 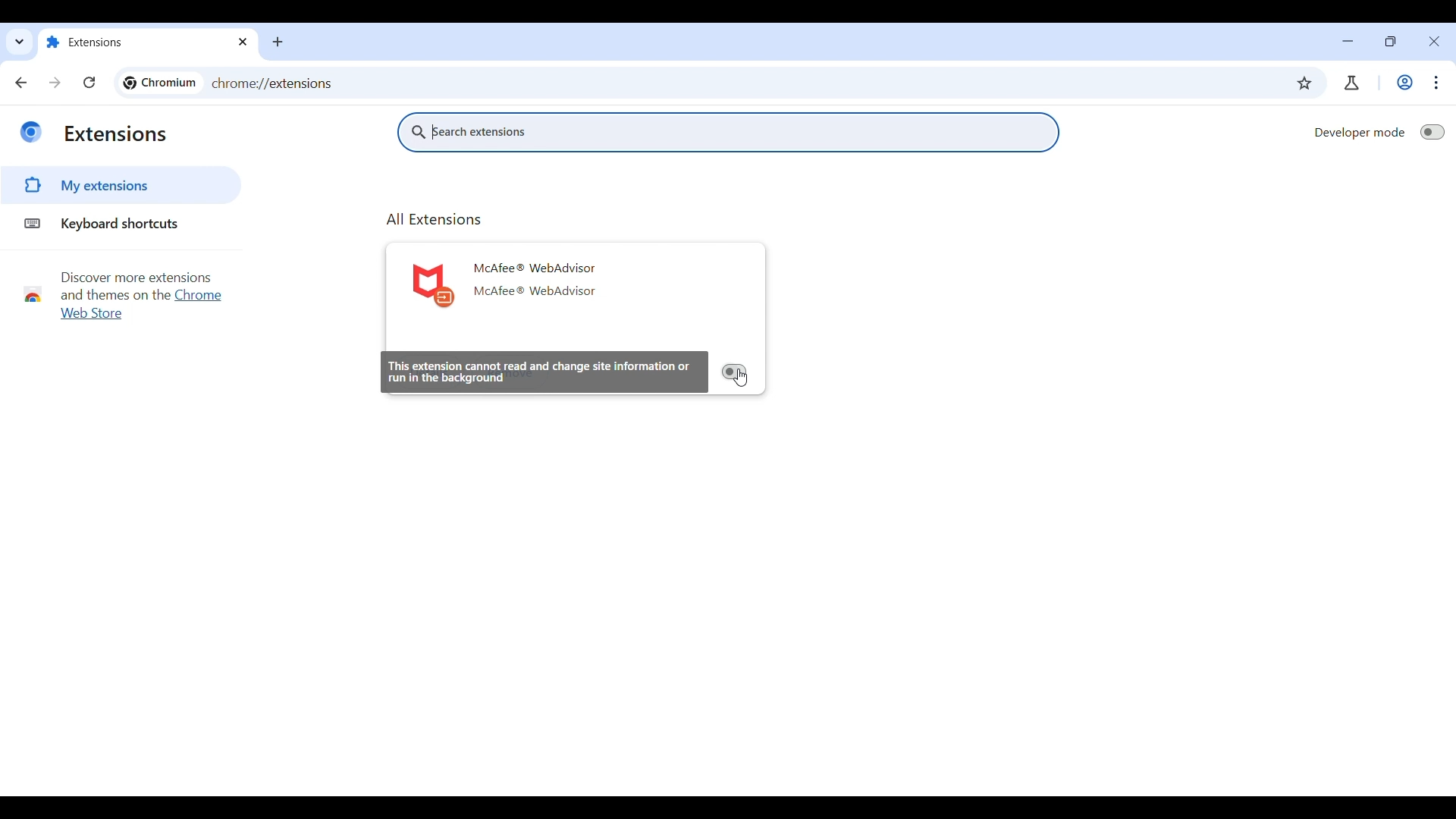 I want to click on Toggle on to switch to Developer mode, so click(x=1432, y=132).